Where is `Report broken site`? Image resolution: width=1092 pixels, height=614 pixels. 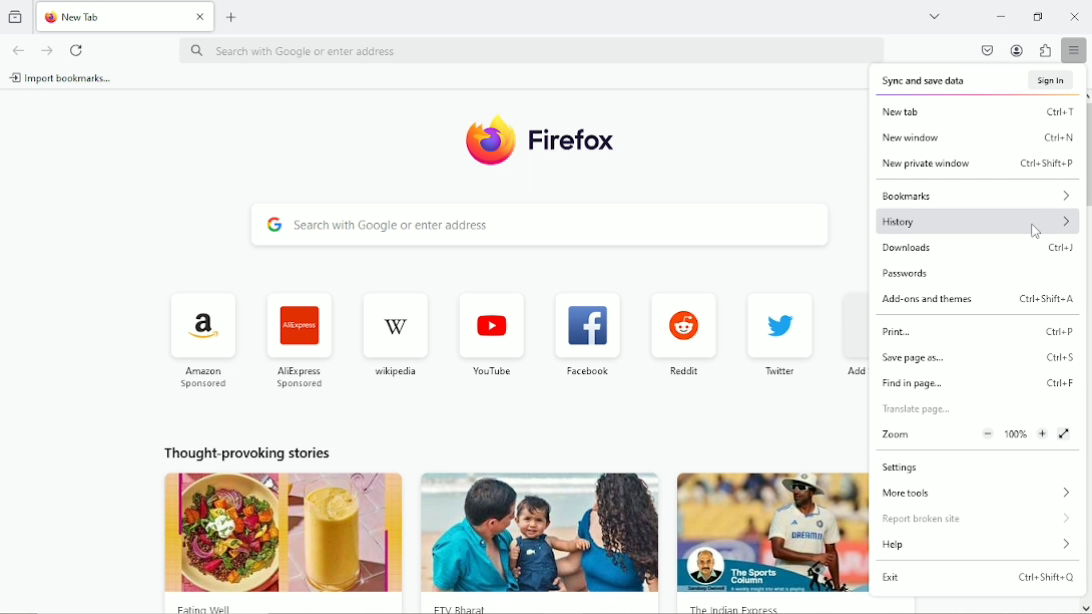 Report broken site is located at coordinates (980, 519).